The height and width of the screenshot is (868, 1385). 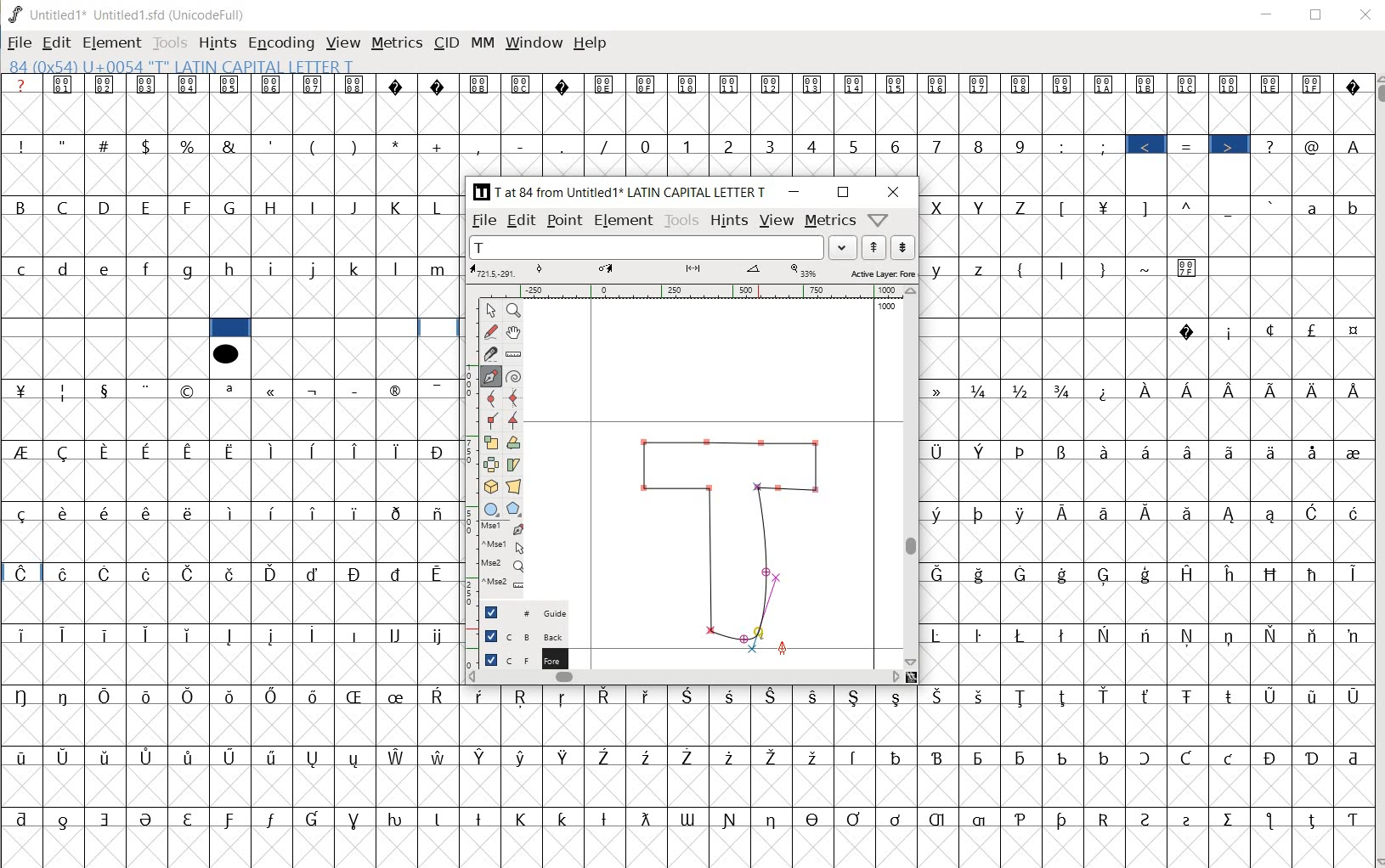 What do you see at coordinates (482, 817) in the screenshot?
I see `Symbol` at bounding box center [482, 817].